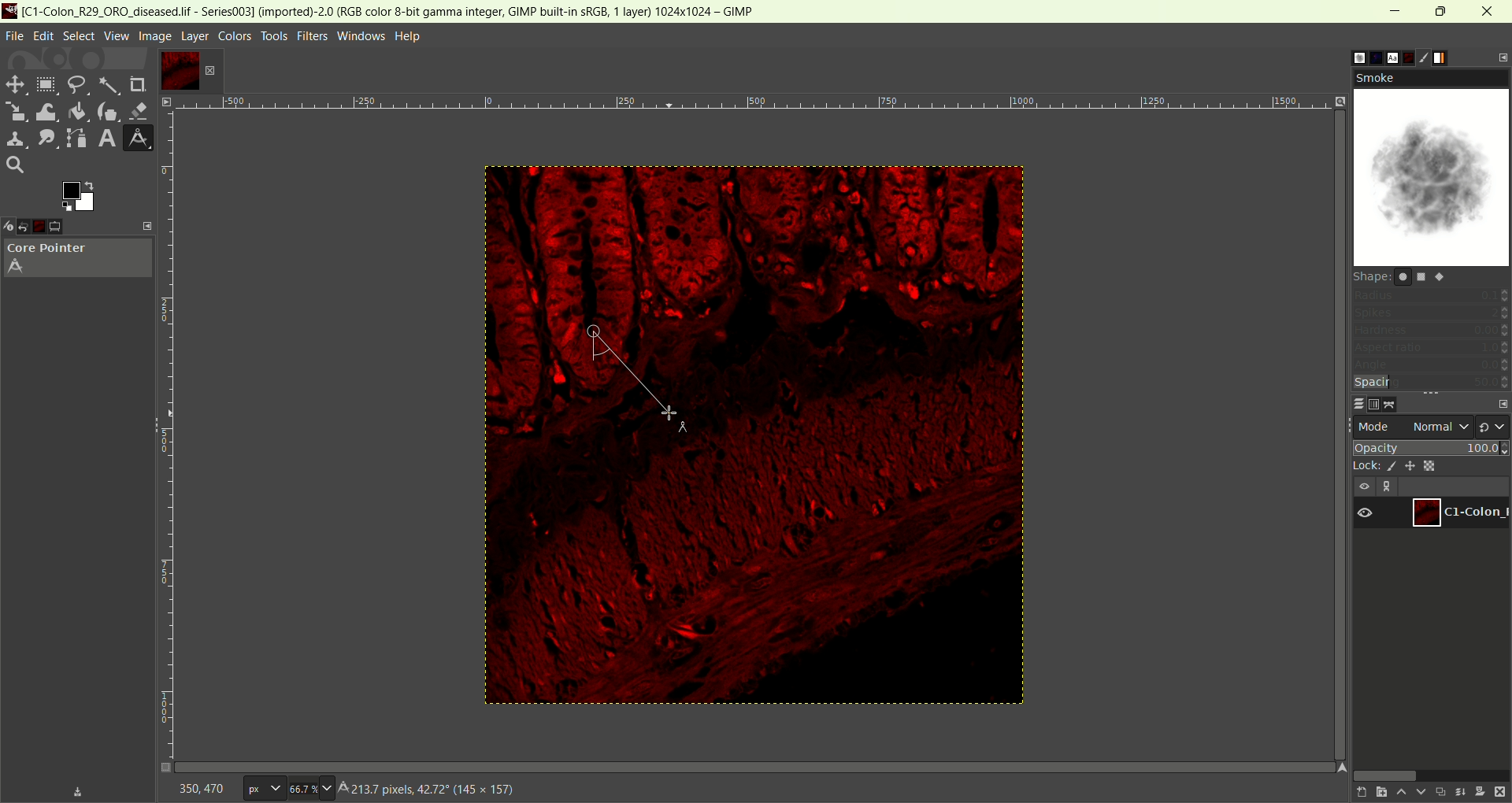  What do you see at coordinates (776, 107) in the screenshot?
I see `zoom factor` at bounding box center [776, 107].